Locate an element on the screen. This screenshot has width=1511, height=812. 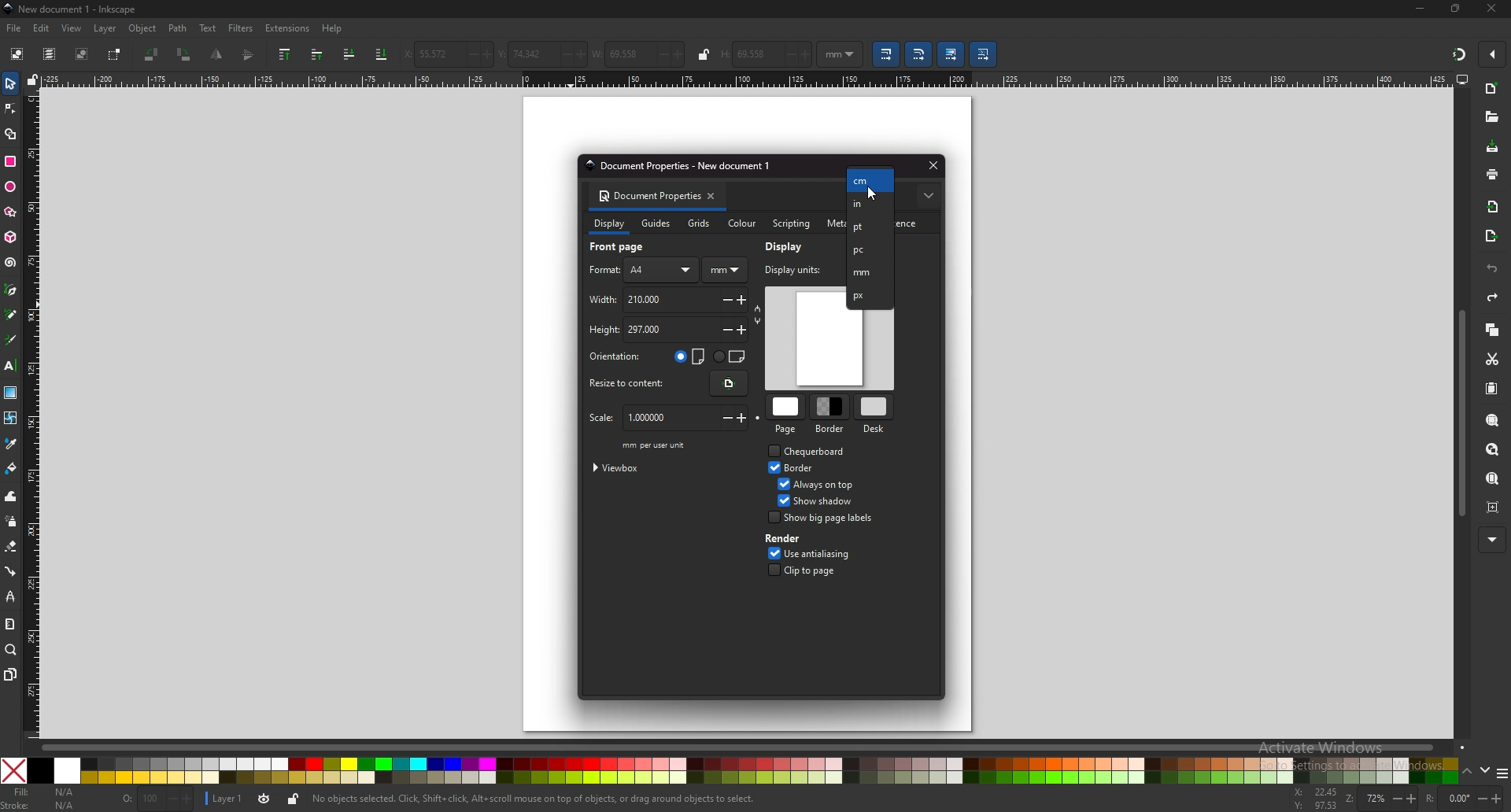
flip vertical is located at coordinates (247, 56).